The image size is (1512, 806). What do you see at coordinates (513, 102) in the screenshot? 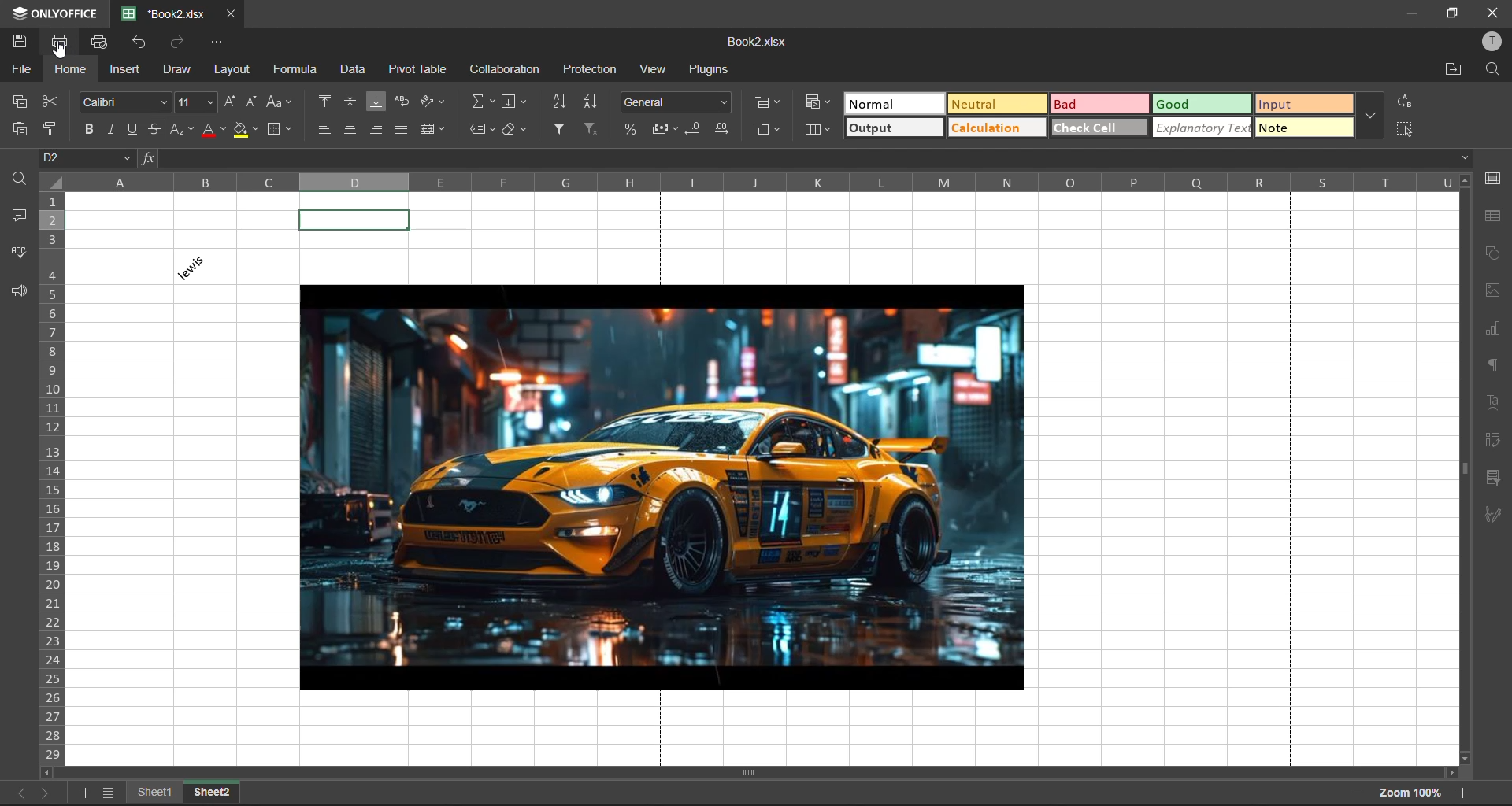
I see `fields` at bounding box center [513, 102].